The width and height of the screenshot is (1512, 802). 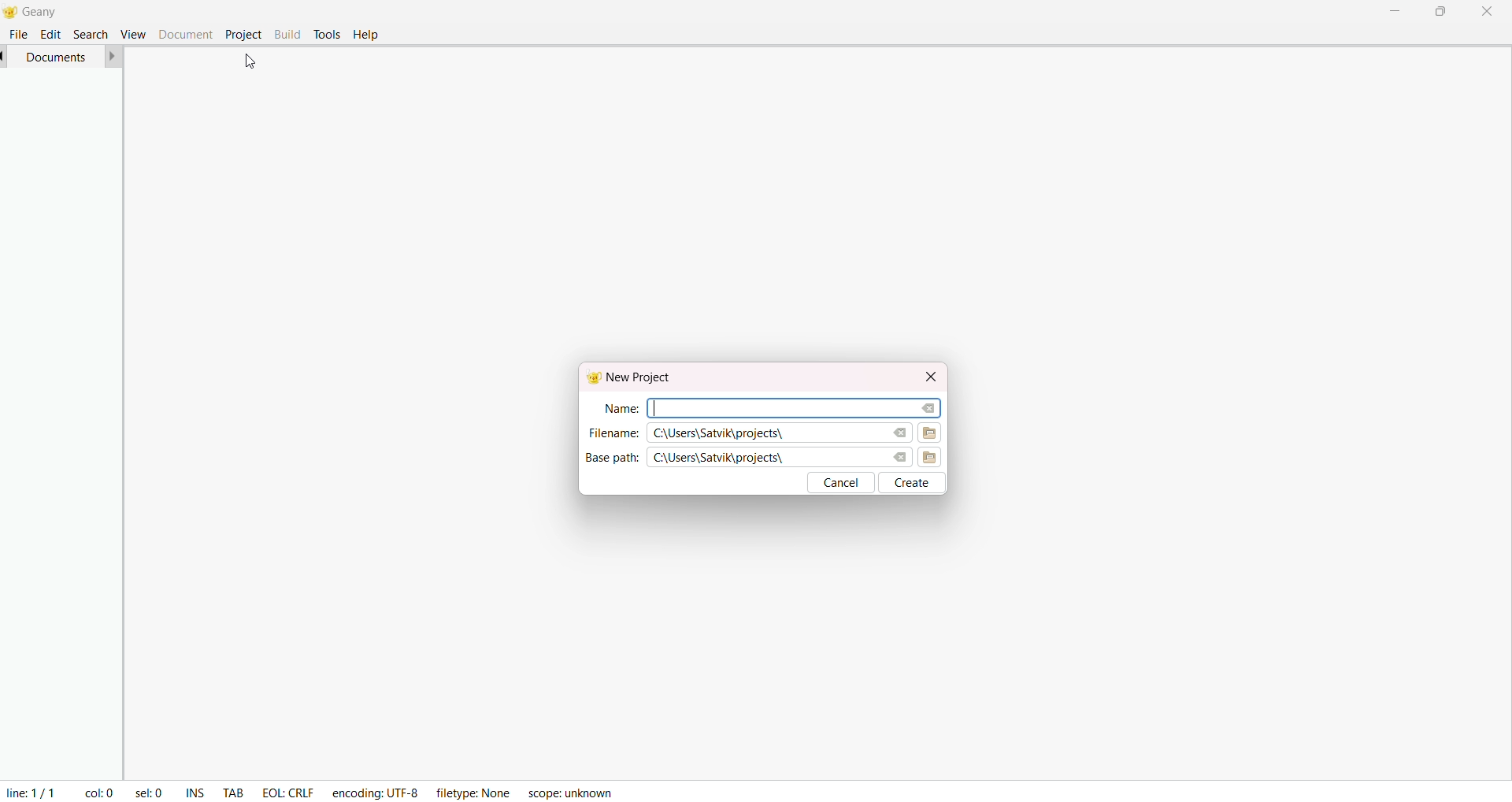 What do you see at coordinates (289, 789) in the screenshot?
I see `EOL: CRLF` at bounding box center [289, 789].